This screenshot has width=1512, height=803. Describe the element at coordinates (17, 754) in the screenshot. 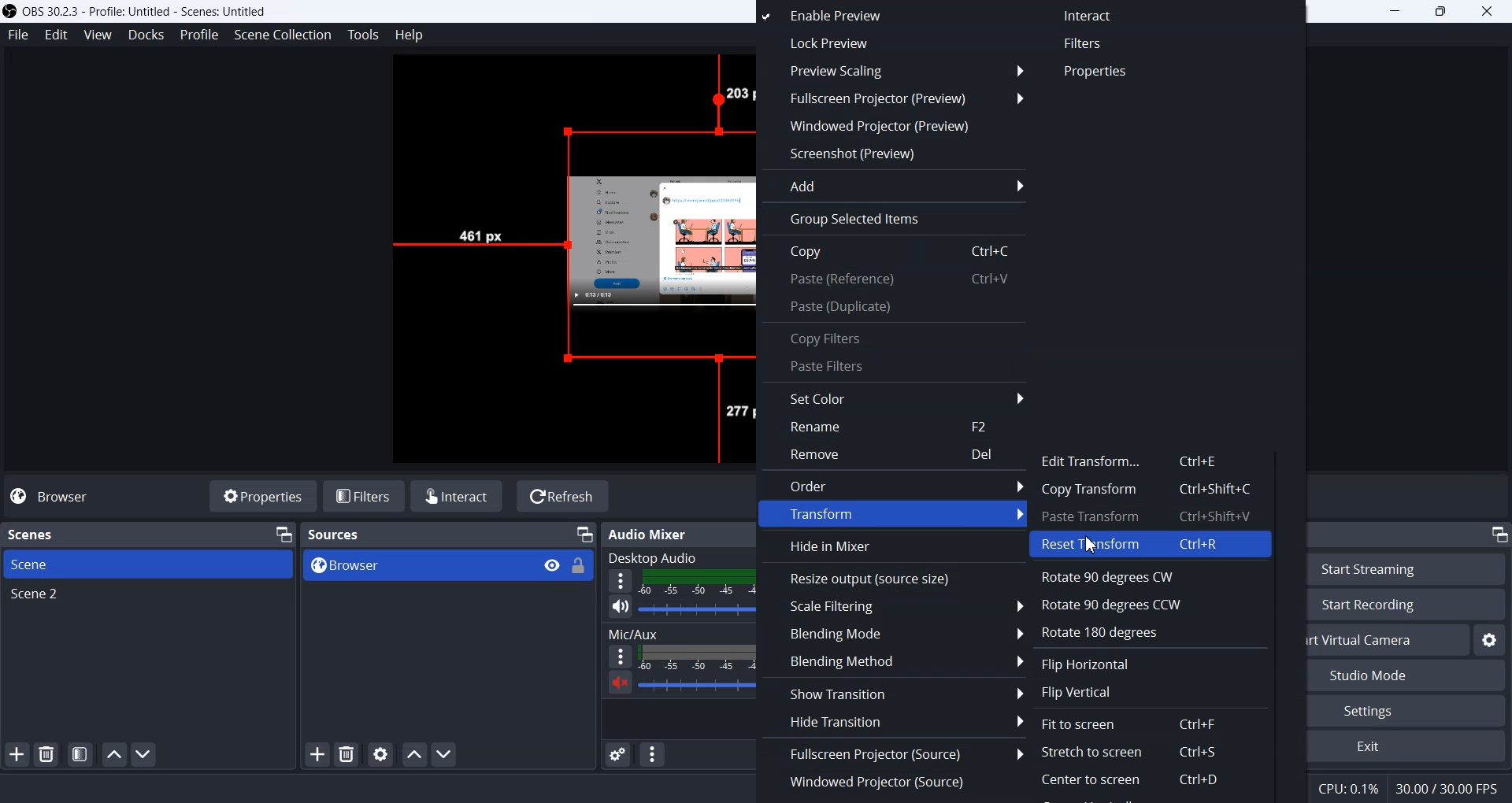

I see `Add Scene` at that location.